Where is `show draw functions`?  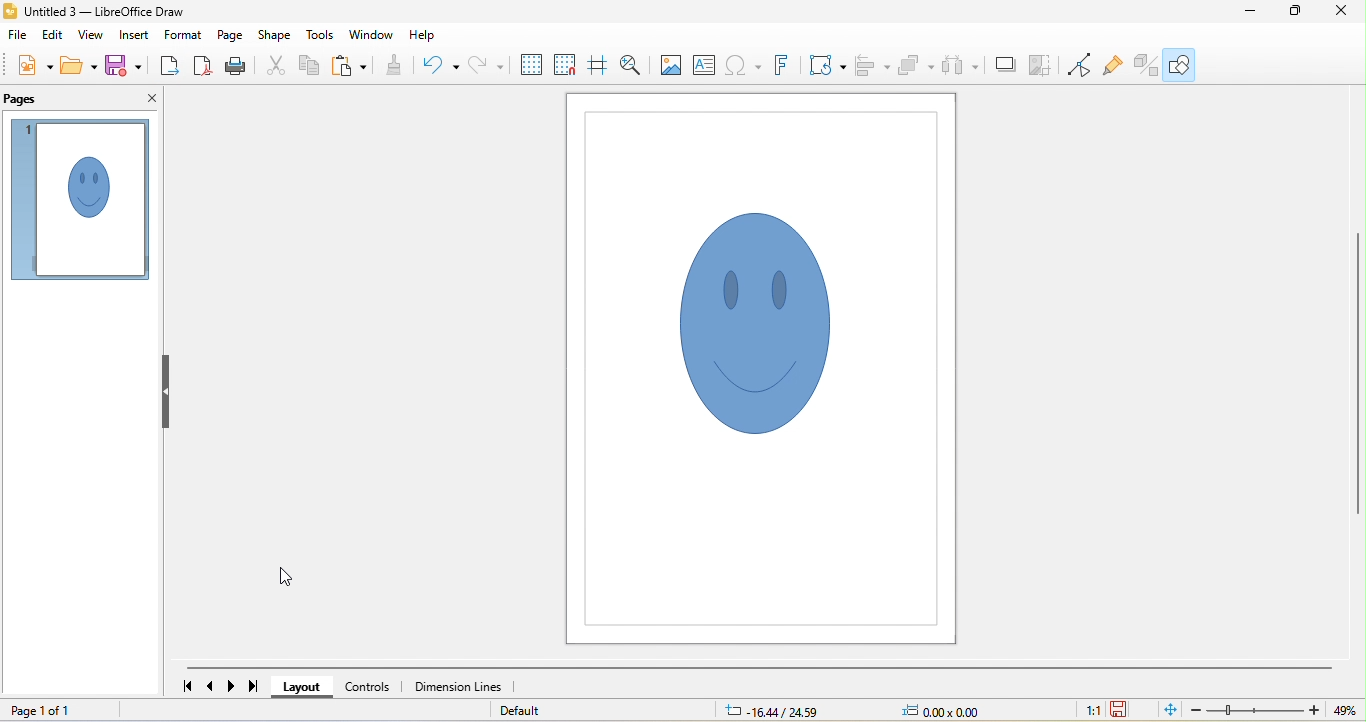
show draw functions is located at coordinates (1180, 64).